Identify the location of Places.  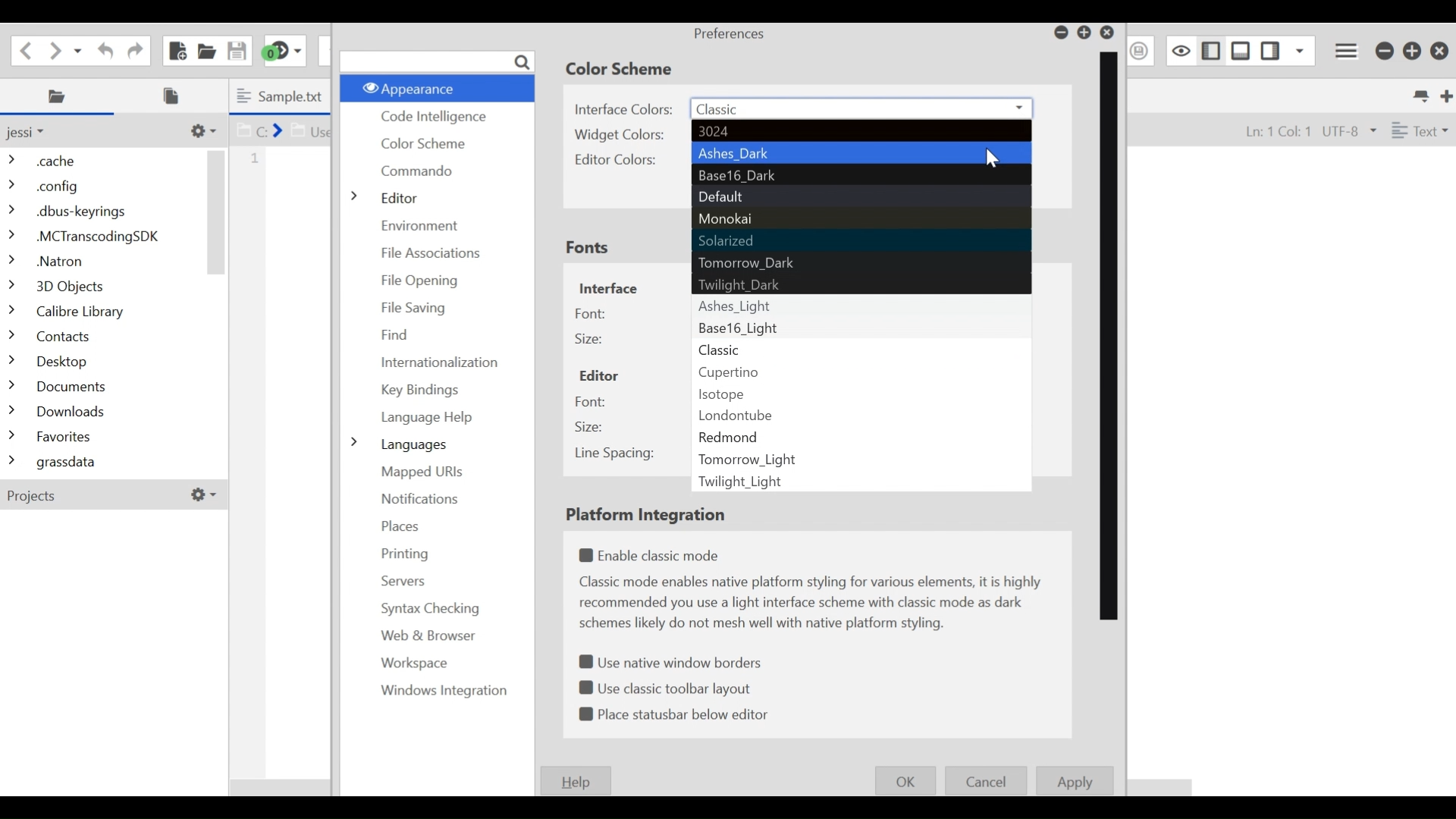
(60, 96).